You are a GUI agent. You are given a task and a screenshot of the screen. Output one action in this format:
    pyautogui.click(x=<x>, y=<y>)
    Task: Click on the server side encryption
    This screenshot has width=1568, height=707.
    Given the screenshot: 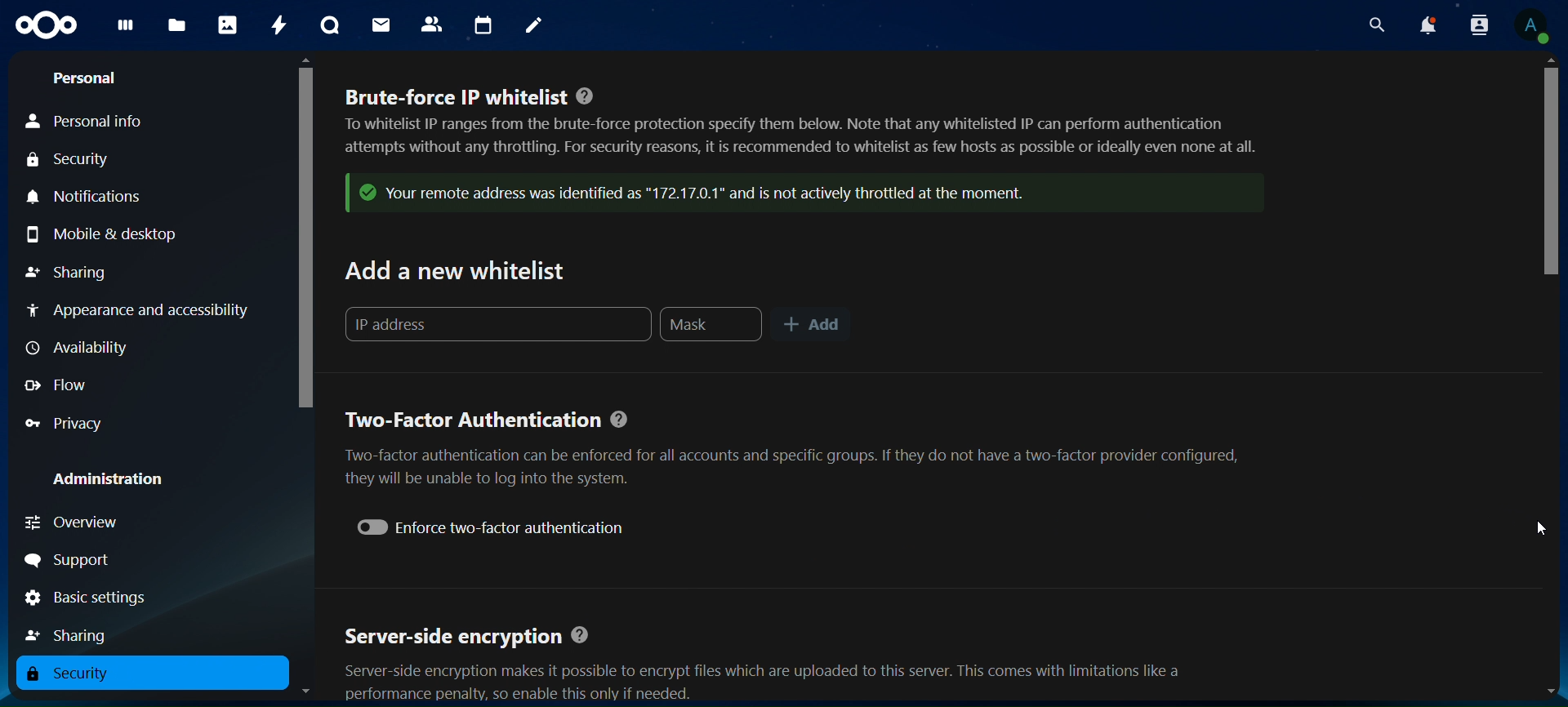 What is the action you would take?
    pyautogui.click(x=792, y=664)
    